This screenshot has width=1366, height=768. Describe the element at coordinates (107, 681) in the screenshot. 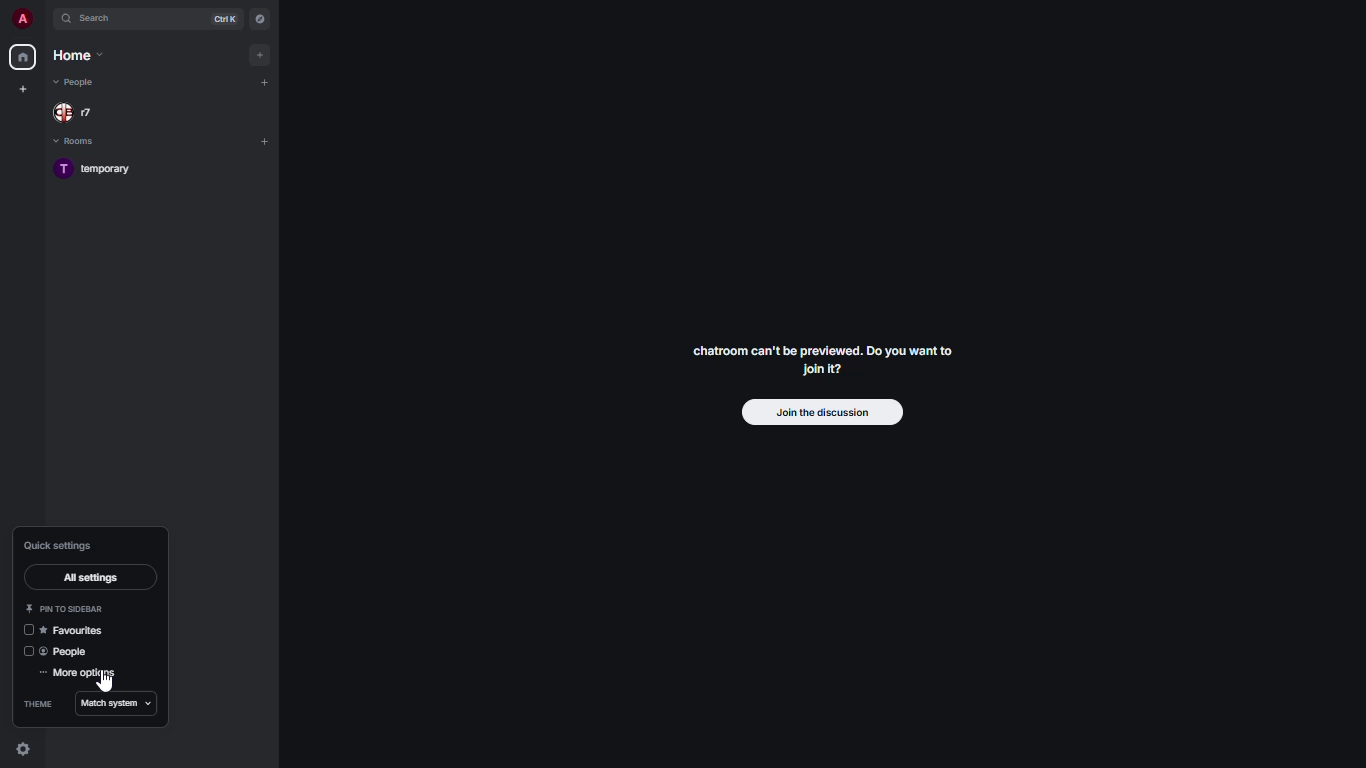

I see `cursor` at that location.